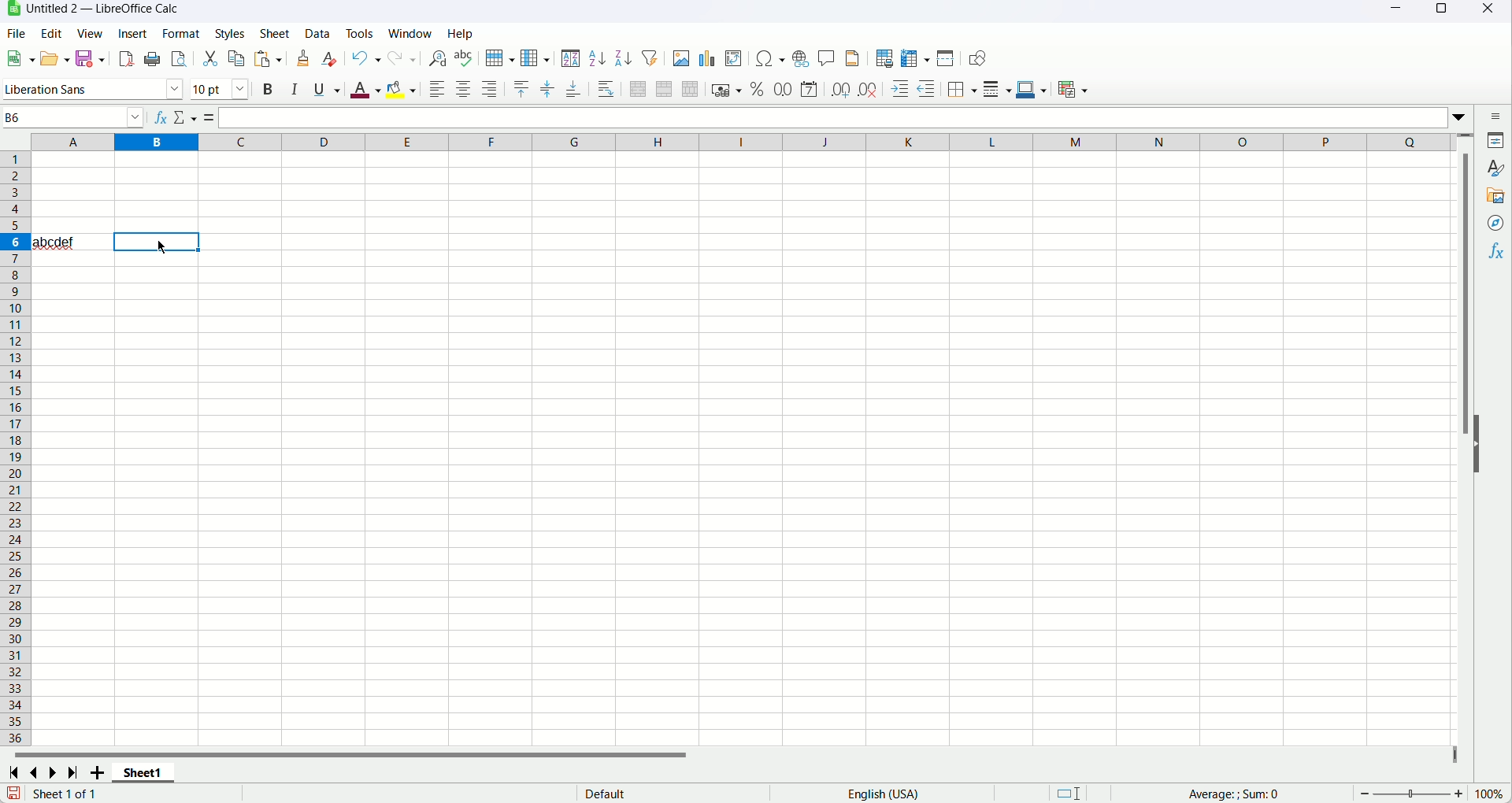 This screenshot has height=803, width=1512. What do you see at coordinates (401, 89) in the screenshot?
I see `background color` at bounding box center [401, 89].